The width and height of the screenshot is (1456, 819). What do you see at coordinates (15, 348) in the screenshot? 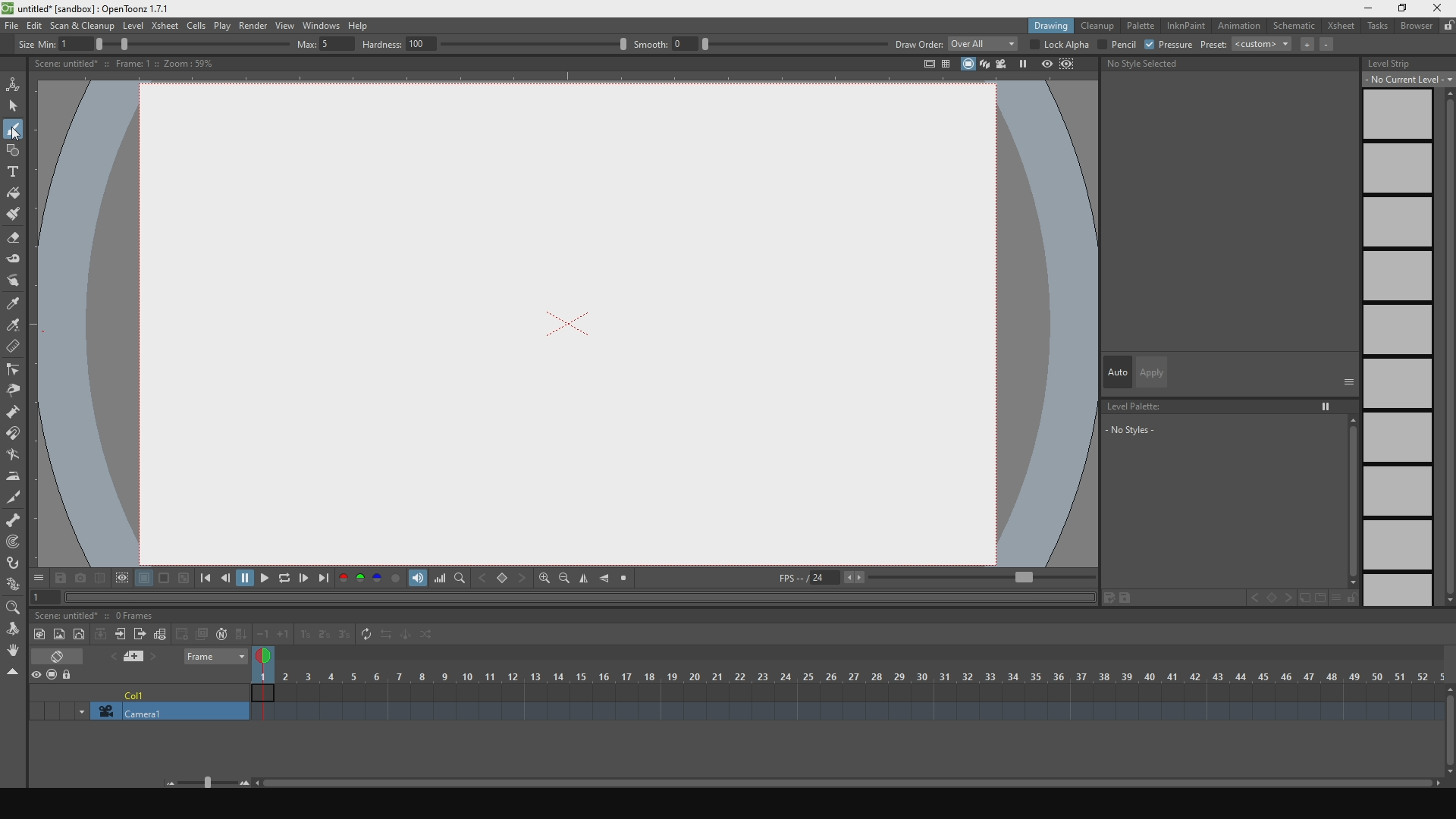
I see `delete` at bounding box center [15, 348].